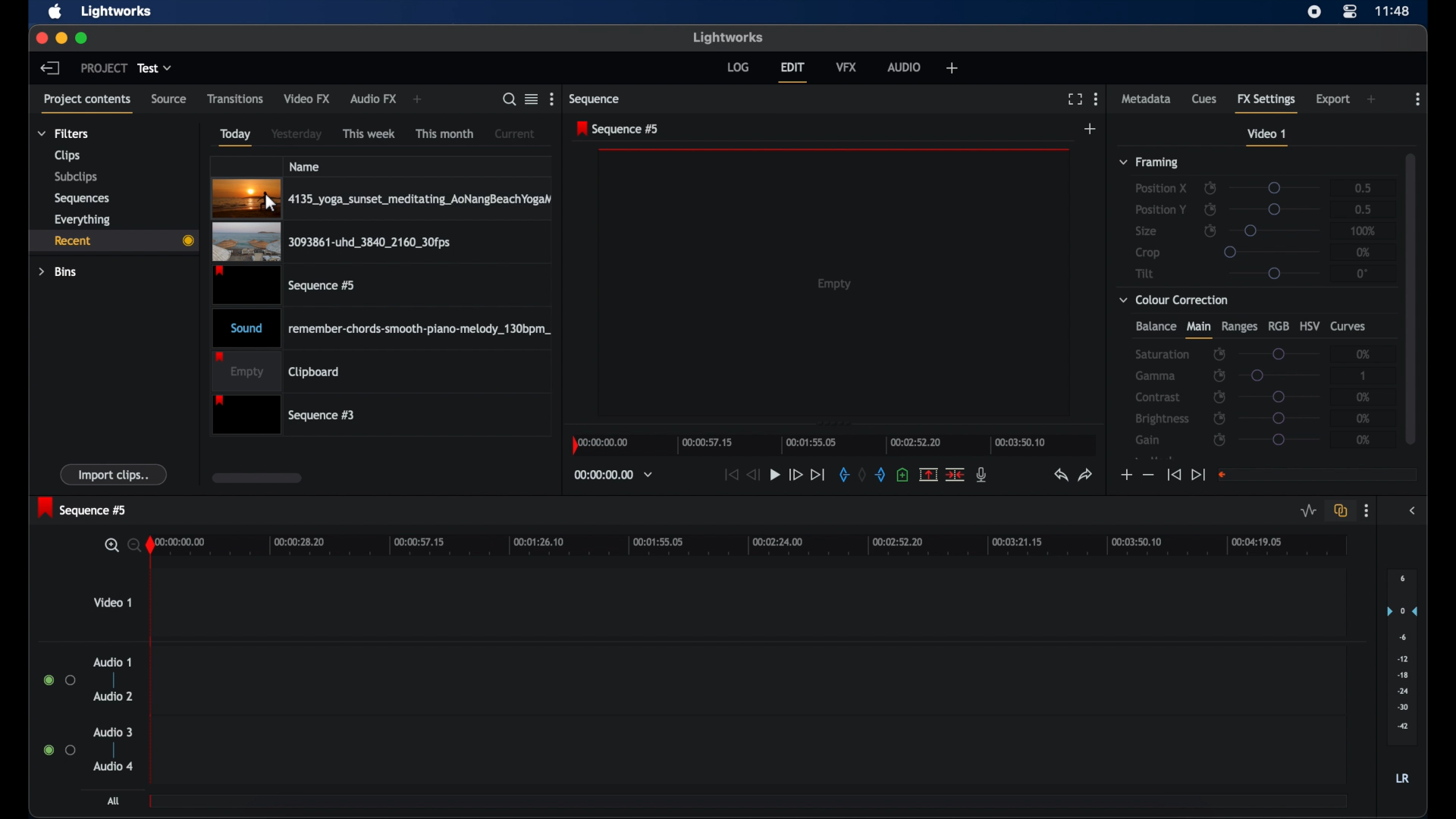 Image resolution: width=1456 pixels, height=819 pixels. Describe the element at coordinates (120, 544) in the screenshot. I see `zoom` at that location.